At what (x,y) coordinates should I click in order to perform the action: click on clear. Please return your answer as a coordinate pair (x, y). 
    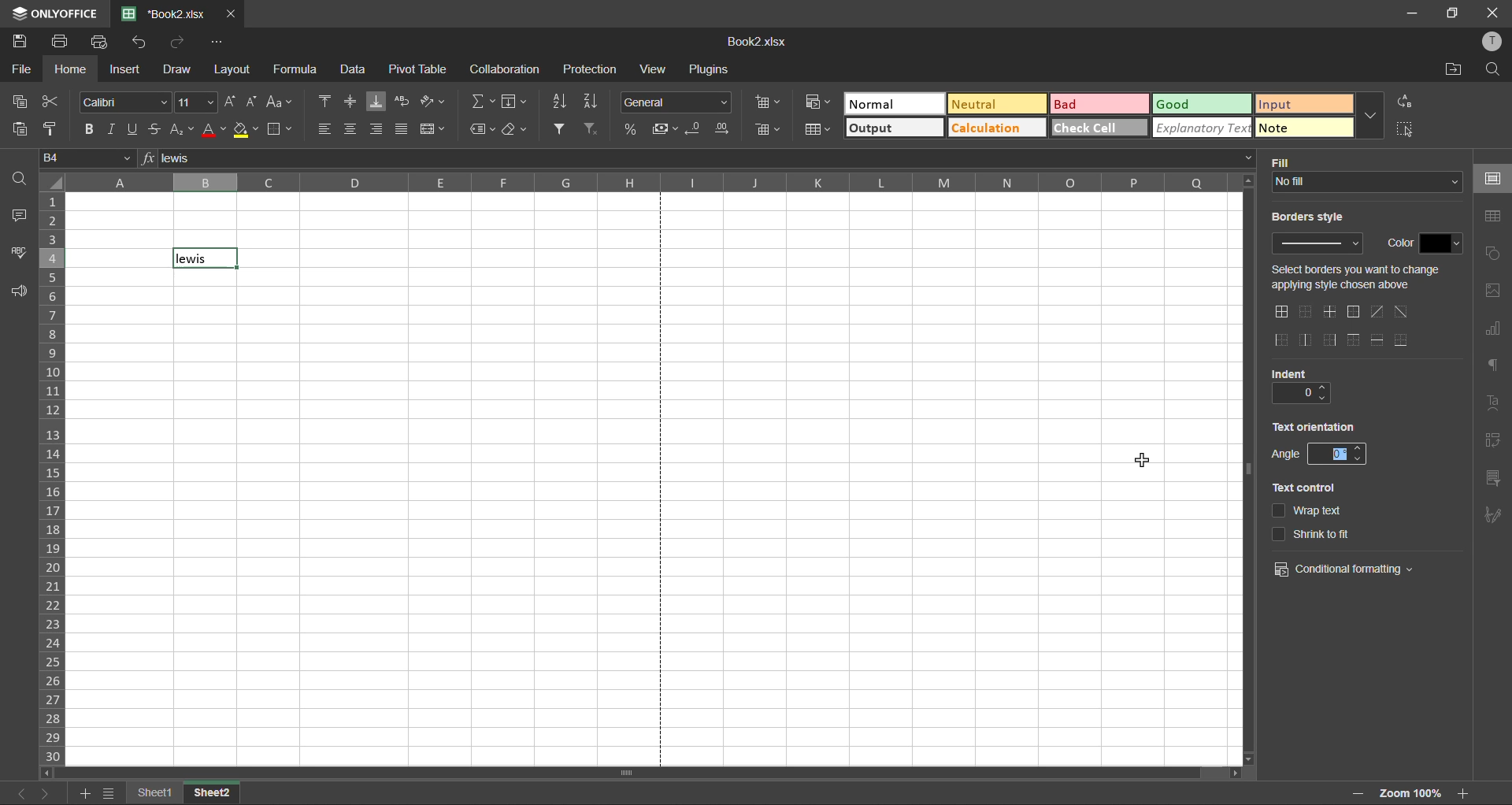
    Looking at the image, I should click on (513, 131).